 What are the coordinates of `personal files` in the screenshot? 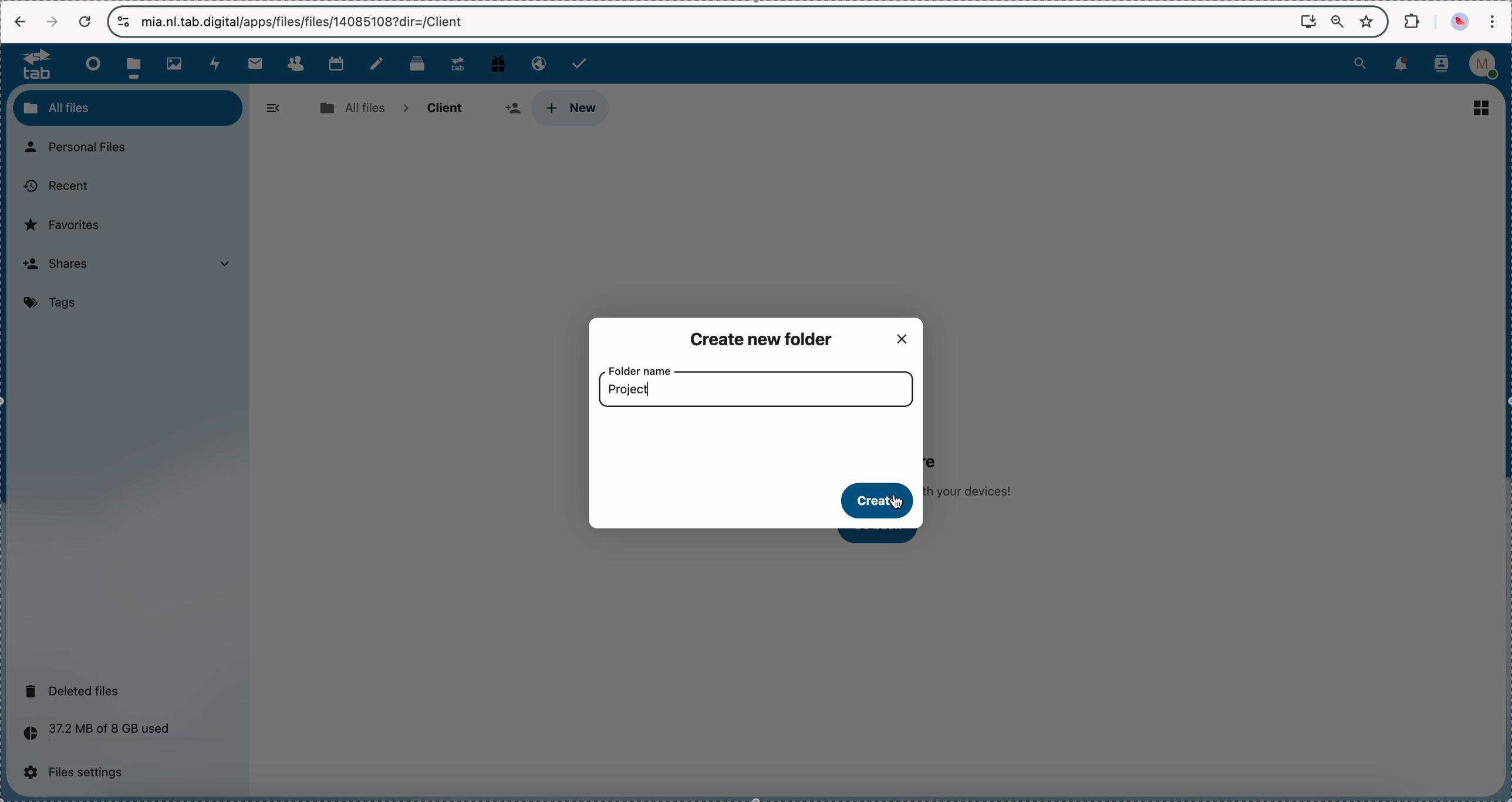 It's located at (82, 148).